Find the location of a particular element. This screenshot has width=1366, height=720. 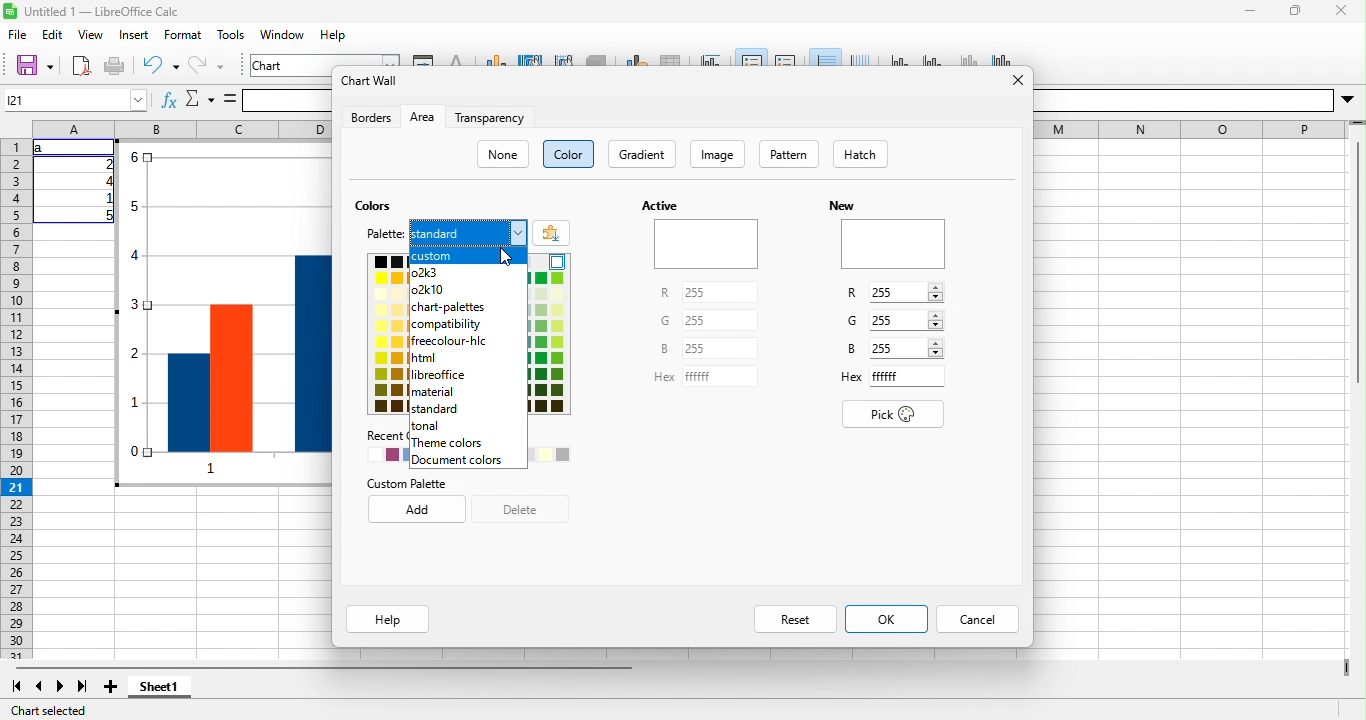

next sheet is located at coordinates (60, 686).